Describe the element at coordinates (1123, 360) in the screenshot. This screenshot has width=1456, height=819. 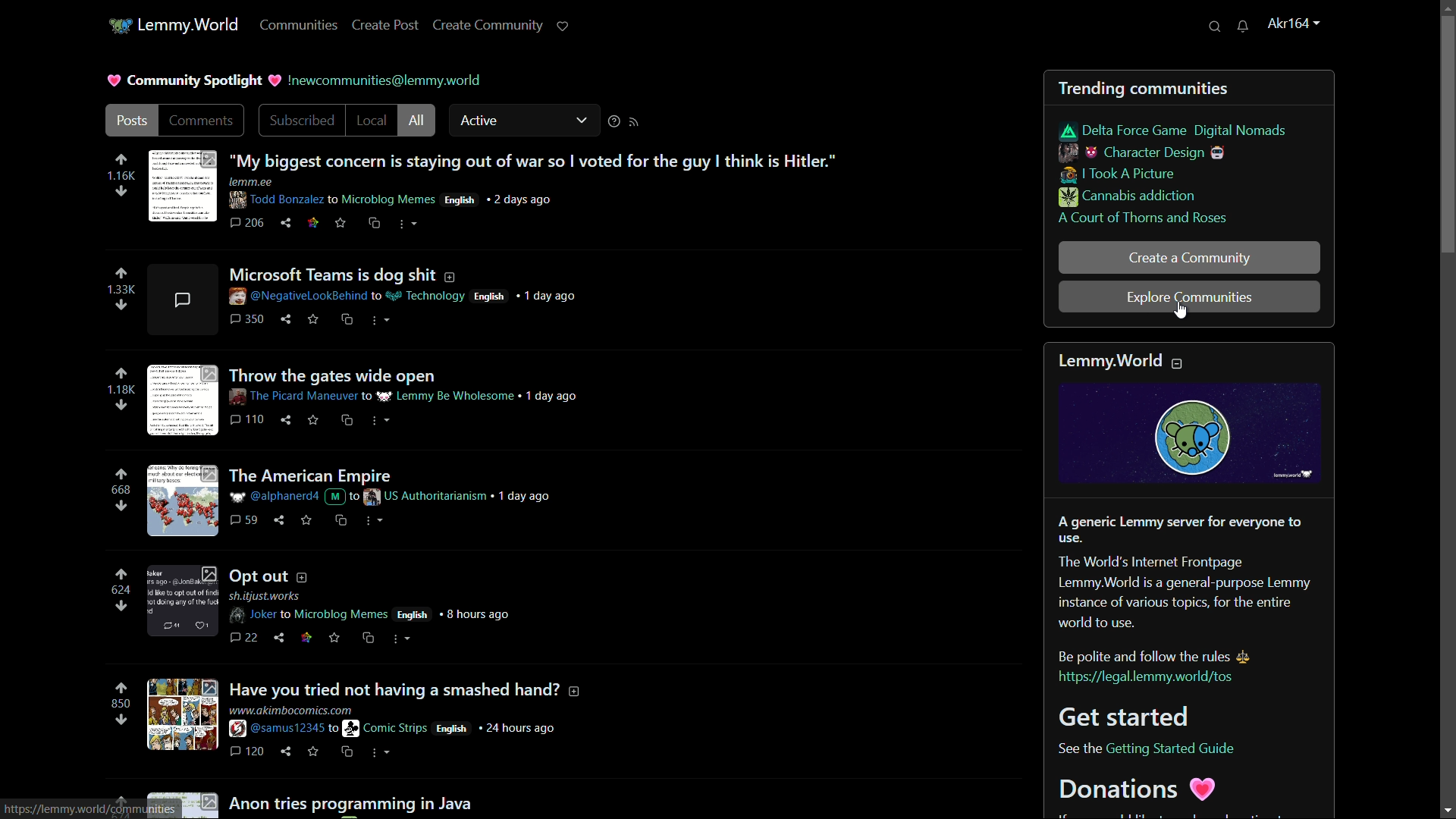
I see `title` at that location.